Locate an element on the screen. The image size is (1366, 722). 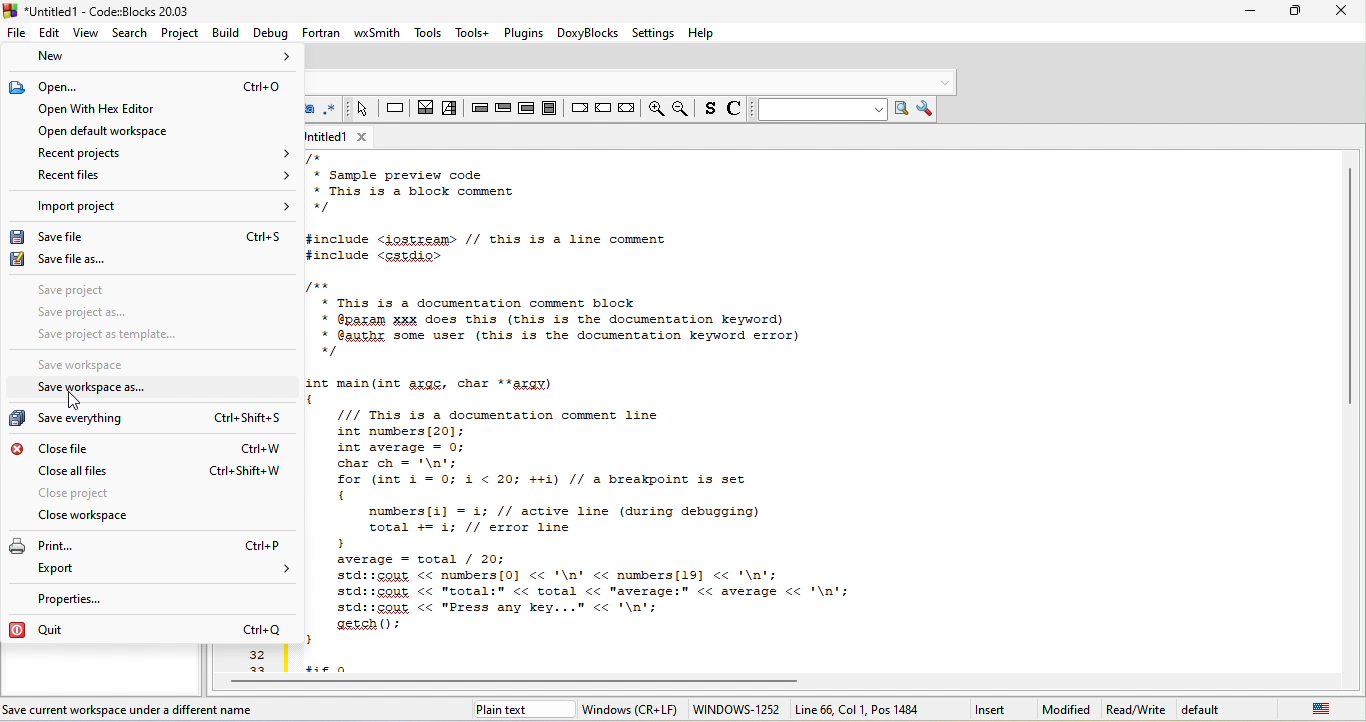
print is located at coordinates (148, 546).